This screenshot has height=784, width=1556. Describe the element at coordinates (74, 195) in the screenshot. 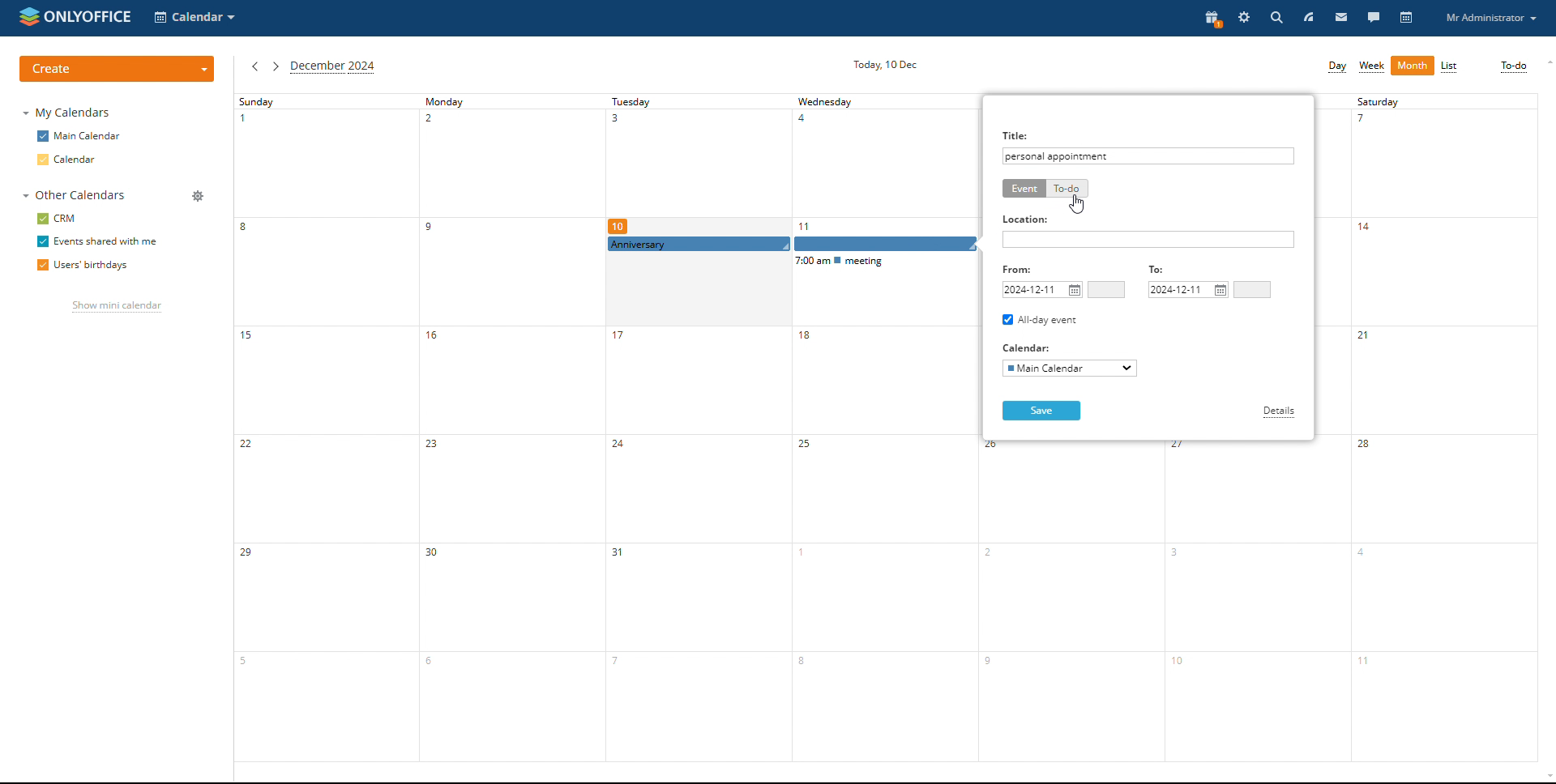

I see `other calendars` at that location.